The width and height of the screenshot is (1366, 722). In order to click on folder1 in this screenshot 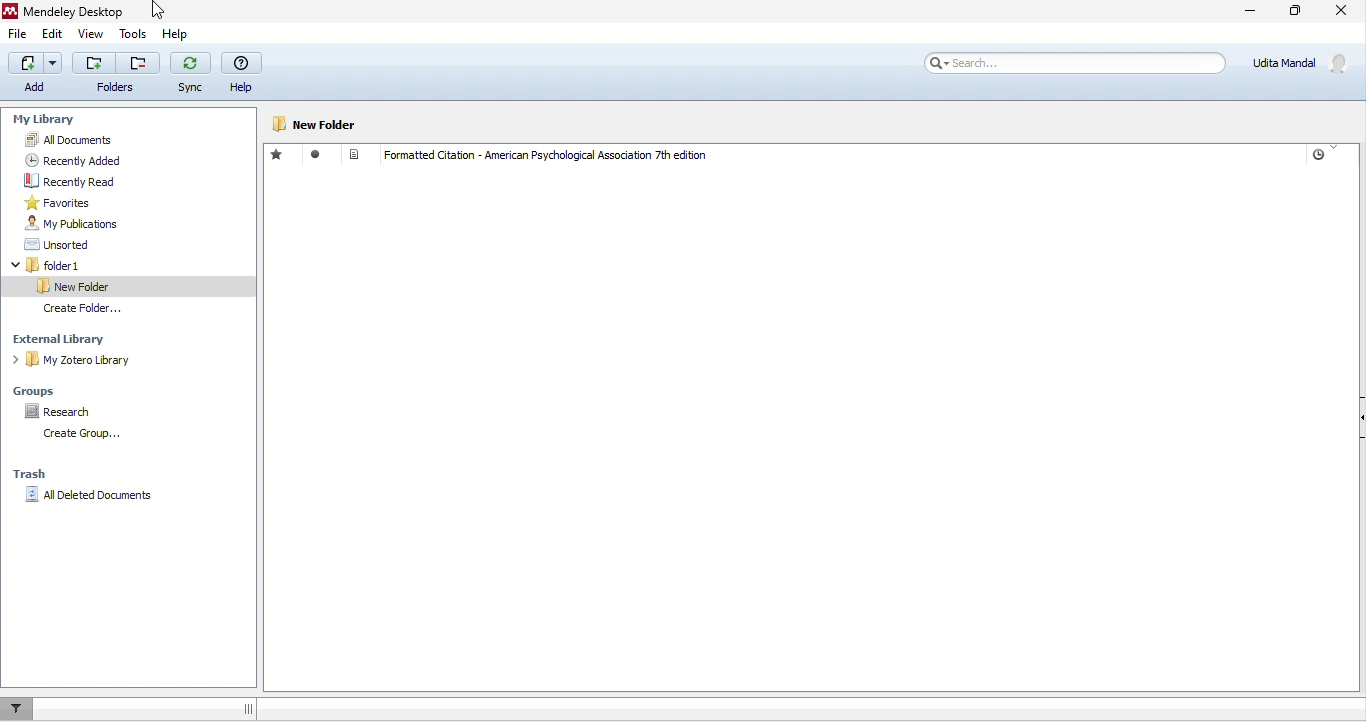, I will do `click(92, 265)`.